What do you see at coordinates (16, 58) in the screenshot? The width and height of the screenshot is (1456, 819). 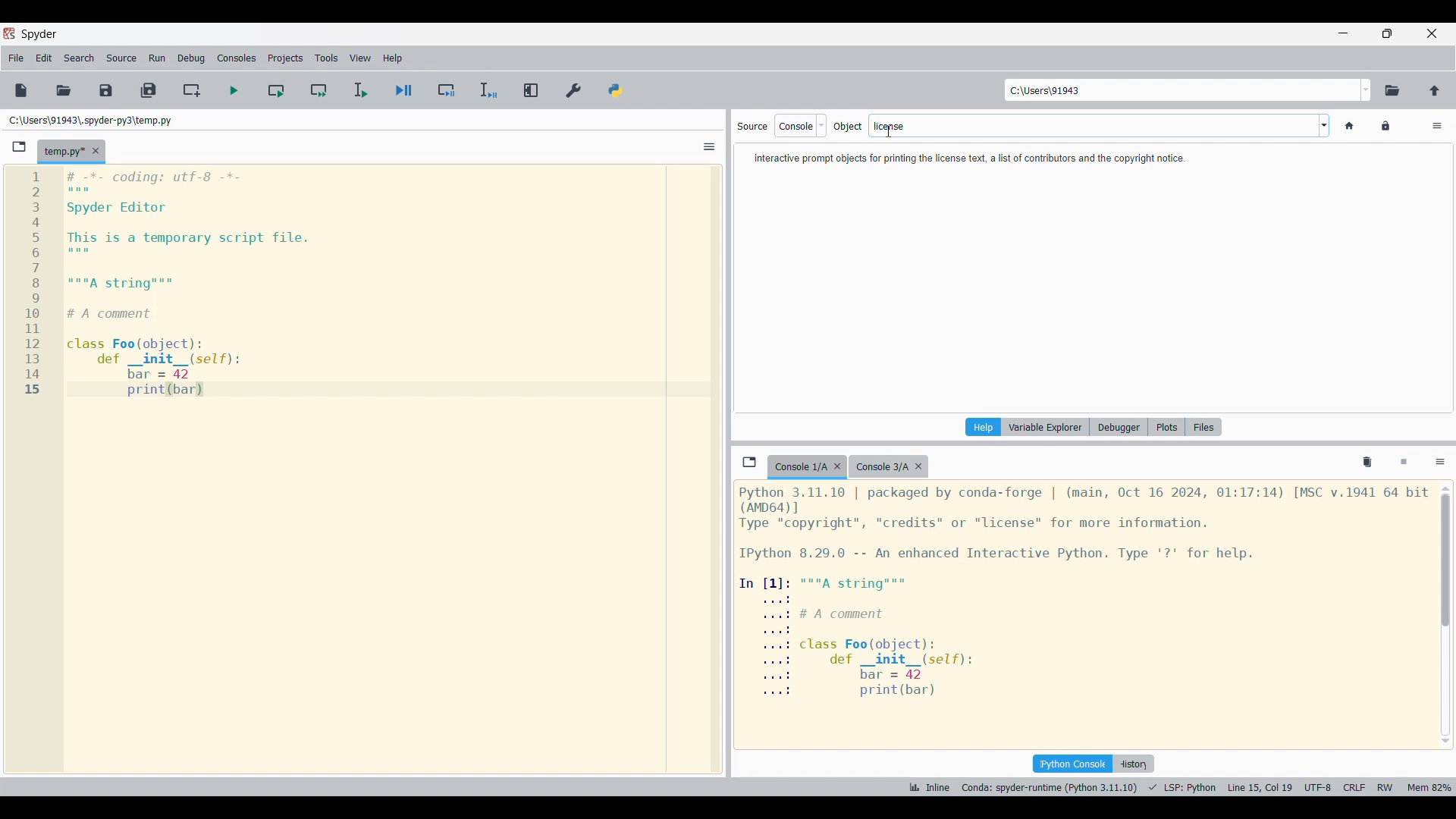 I see `File menu` at bounding box center [16, 58].